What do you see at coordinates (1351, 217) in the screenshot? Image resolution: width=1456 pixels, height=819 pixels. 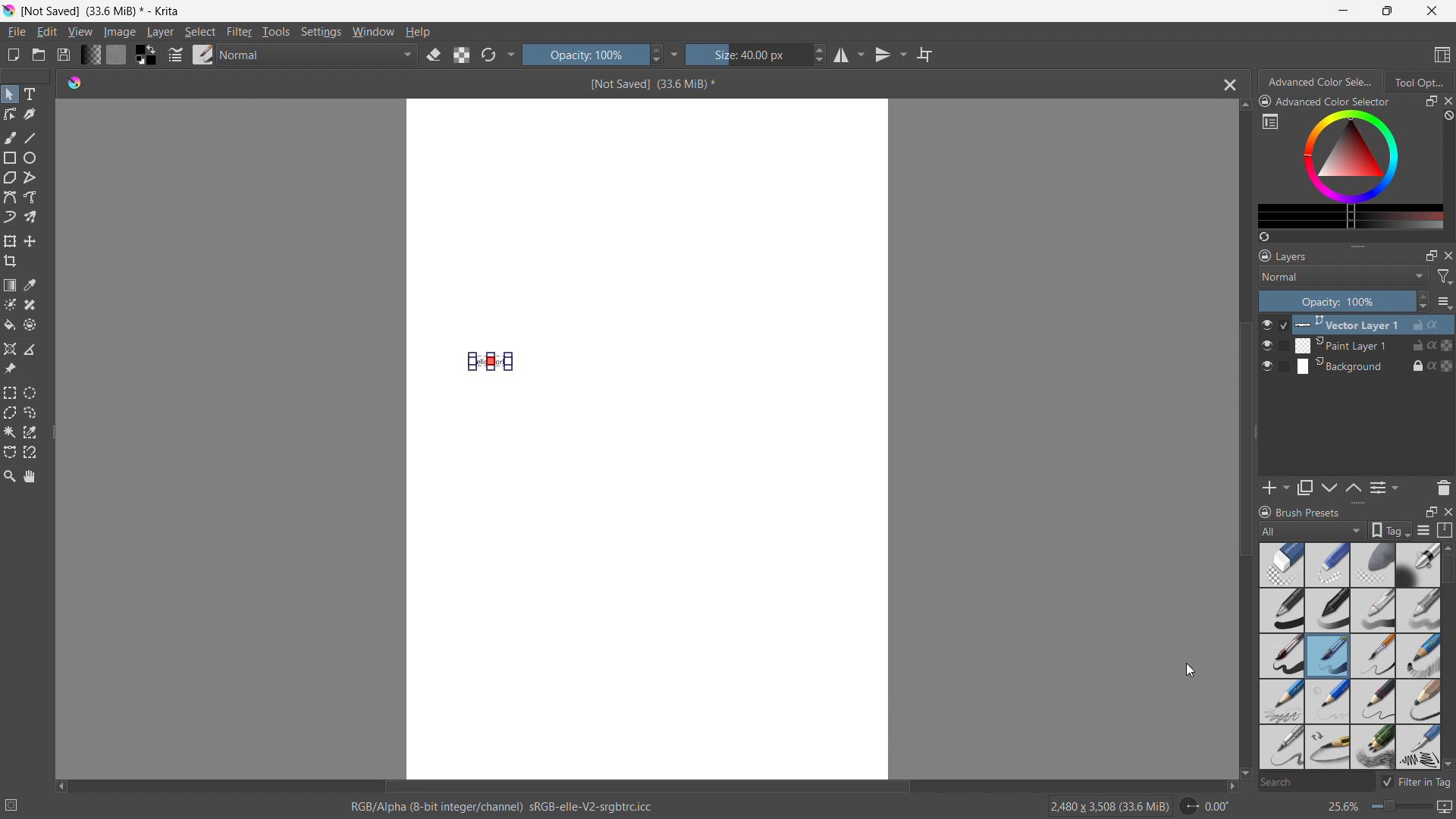 I see `more colors` at bounding box center [1351, 217].